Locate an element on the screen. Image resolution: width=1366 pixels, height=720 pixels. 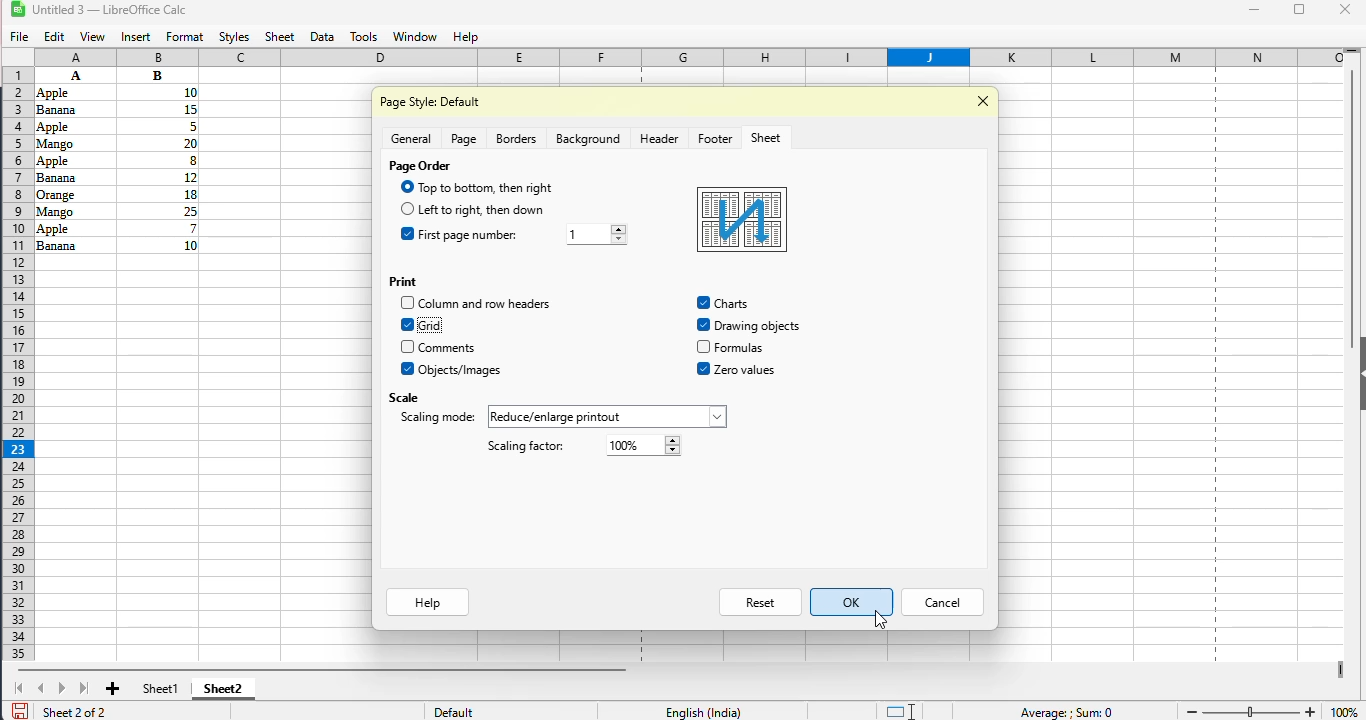
 is located at coordinates (158, 142).